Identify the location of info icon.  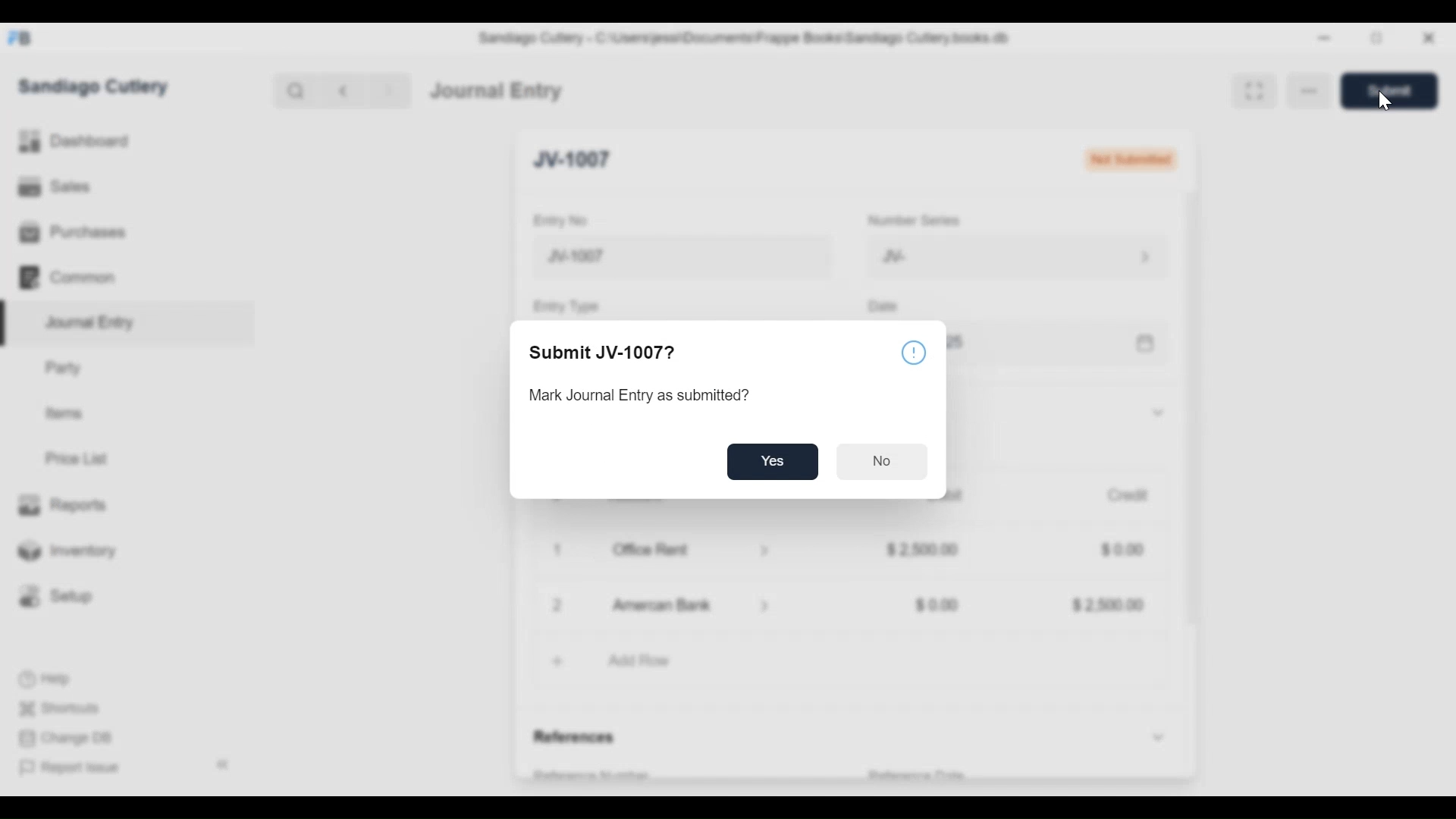
(914, 351).